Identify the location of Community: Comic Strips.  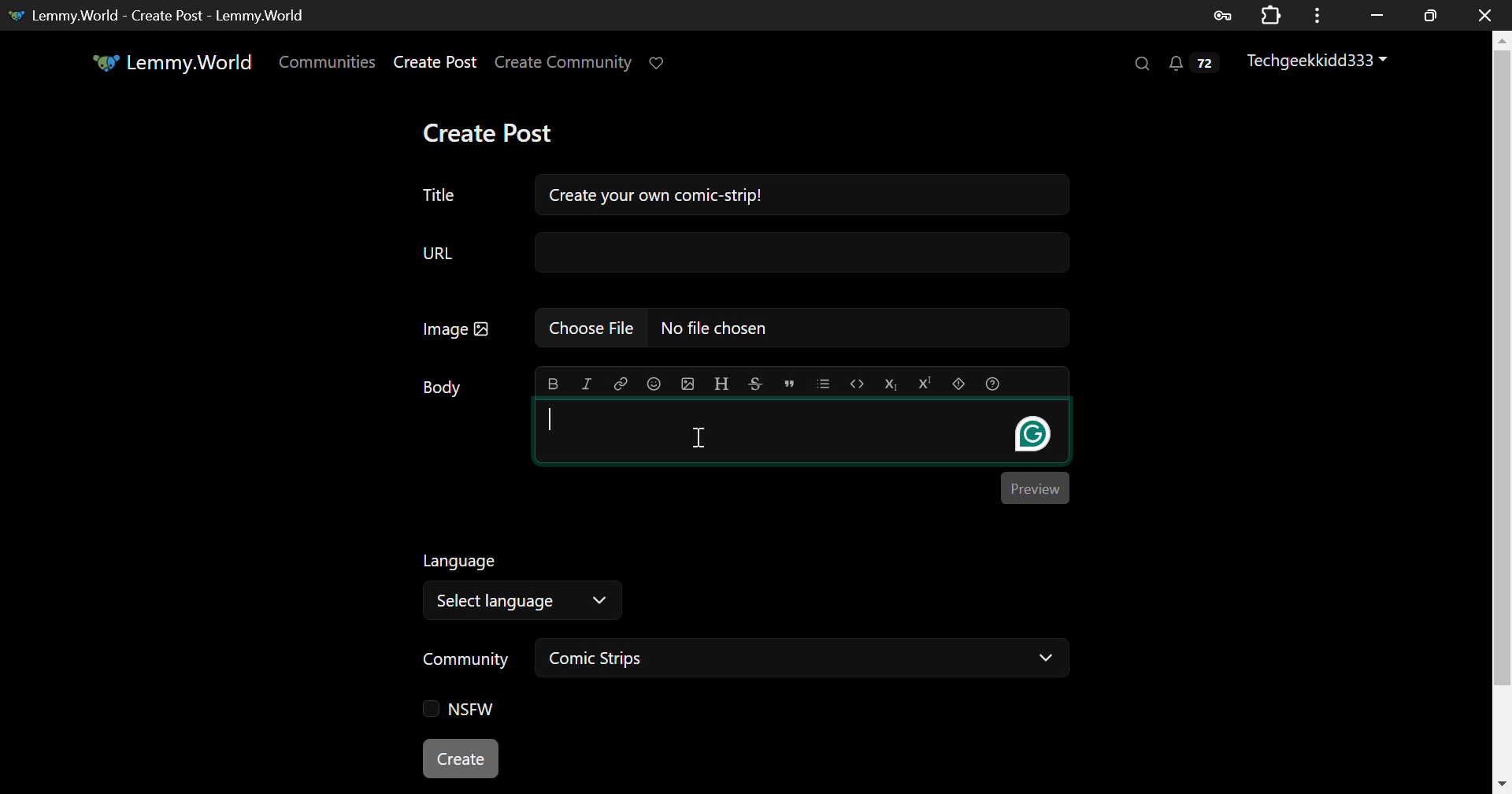
(739, 661).